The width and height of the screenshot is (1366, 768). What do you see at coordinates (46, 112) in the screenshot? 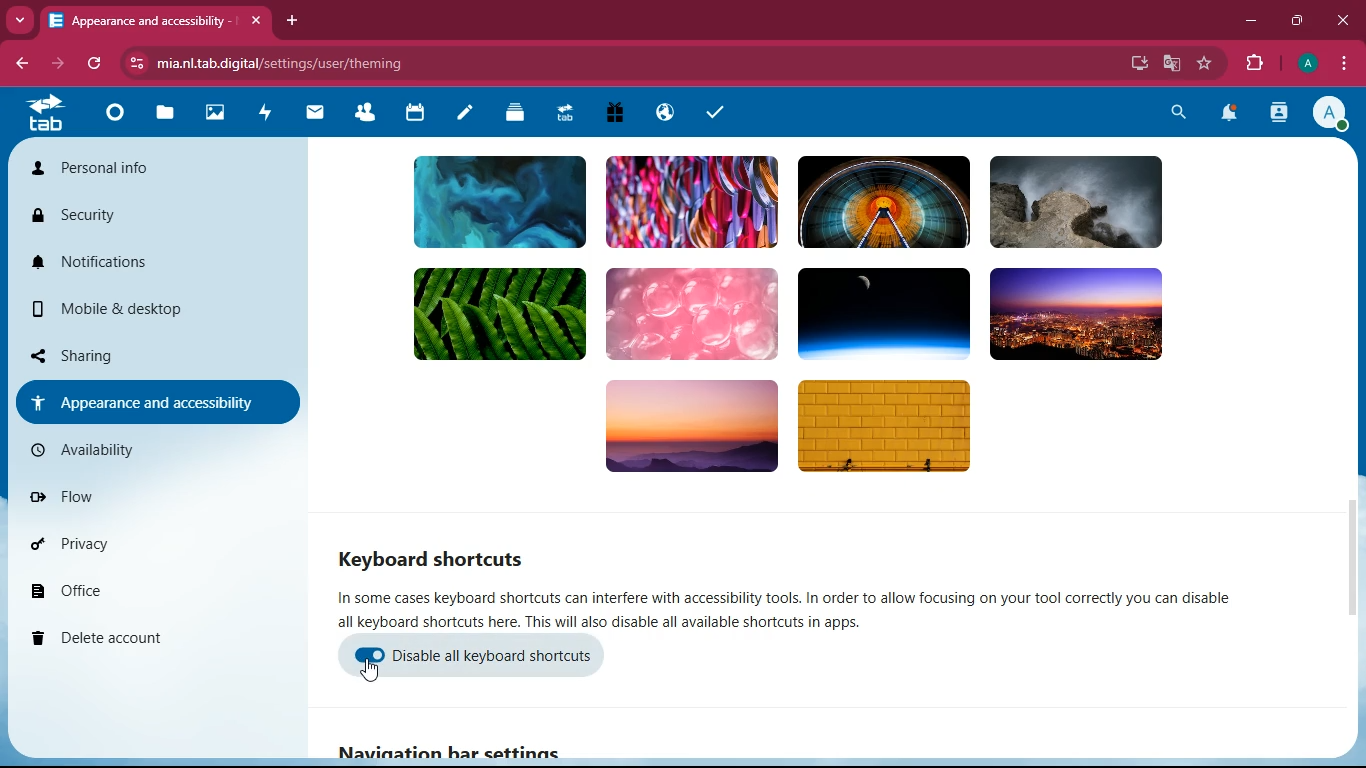
I see `tab` at bounding box center [46, 112].